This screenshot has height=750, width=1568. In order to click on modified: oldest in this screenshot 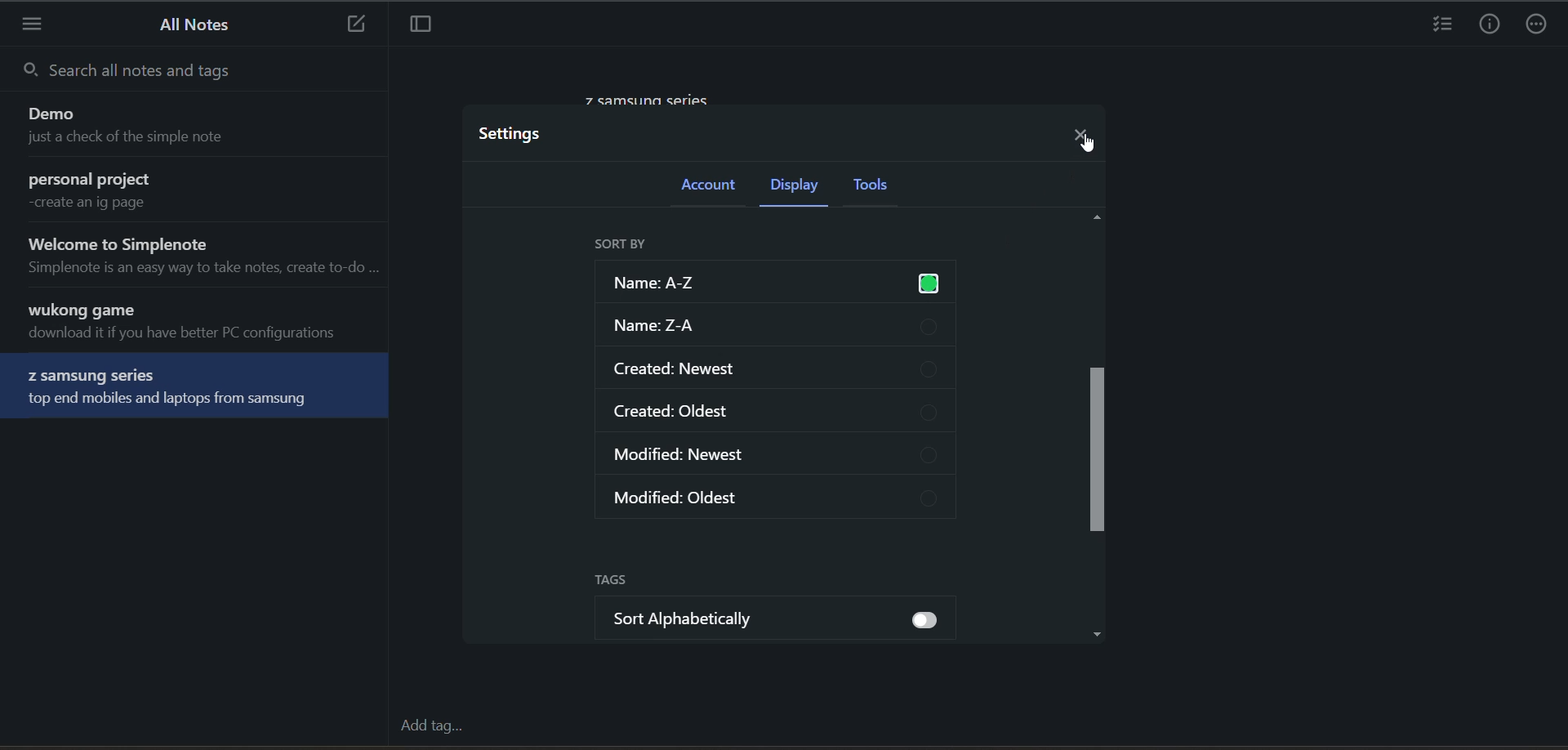, I will do `click(783, 501)`.